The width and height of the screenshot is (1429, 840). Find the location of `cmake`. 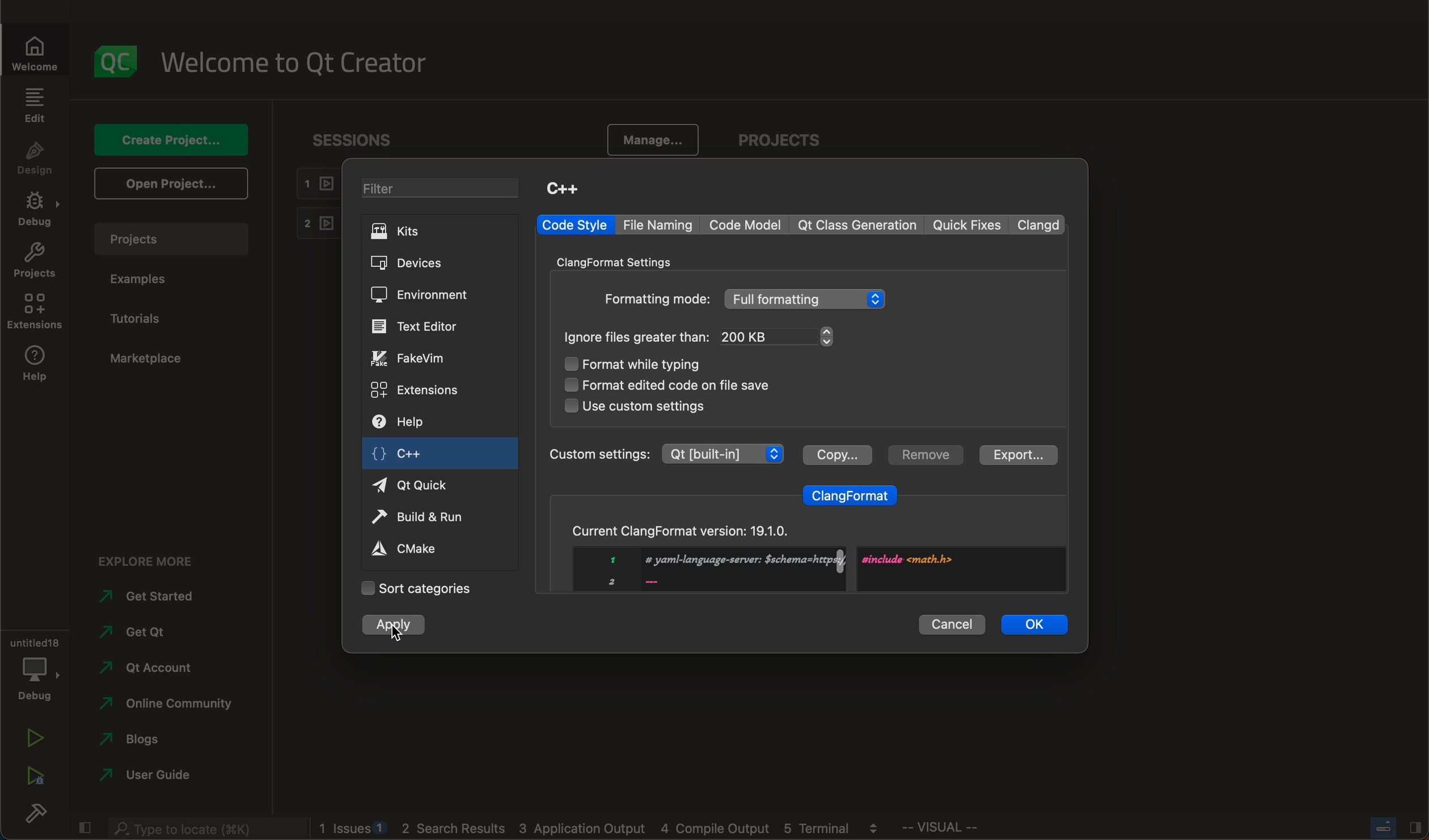

cmake is located at coordinates (417, 548).